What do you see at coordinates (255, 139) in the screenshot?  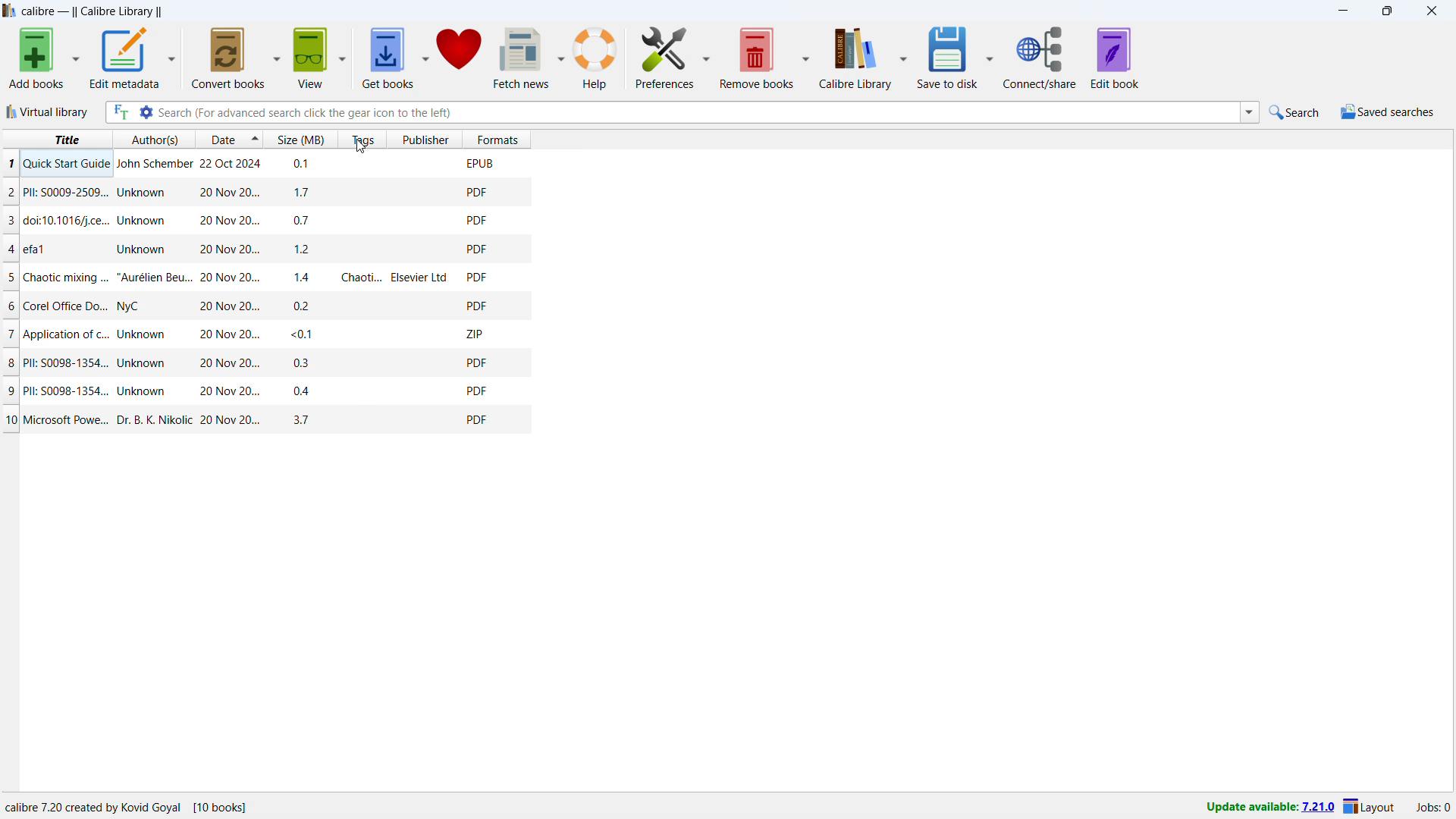 I see `select sorting order` at bounding box center [255, 139].